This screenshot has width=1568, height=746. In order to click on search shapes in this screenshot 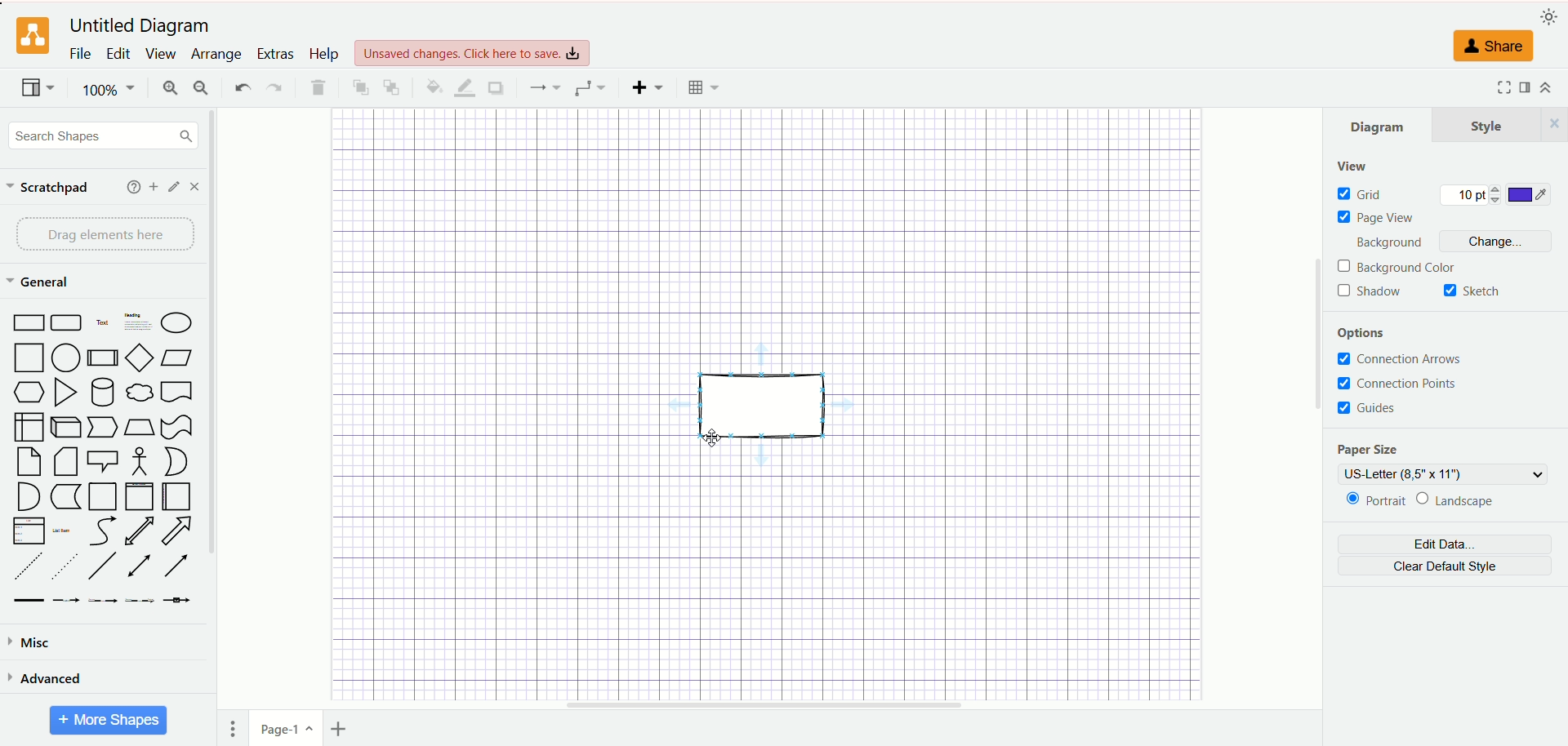, I will do `click(101, 136)`.